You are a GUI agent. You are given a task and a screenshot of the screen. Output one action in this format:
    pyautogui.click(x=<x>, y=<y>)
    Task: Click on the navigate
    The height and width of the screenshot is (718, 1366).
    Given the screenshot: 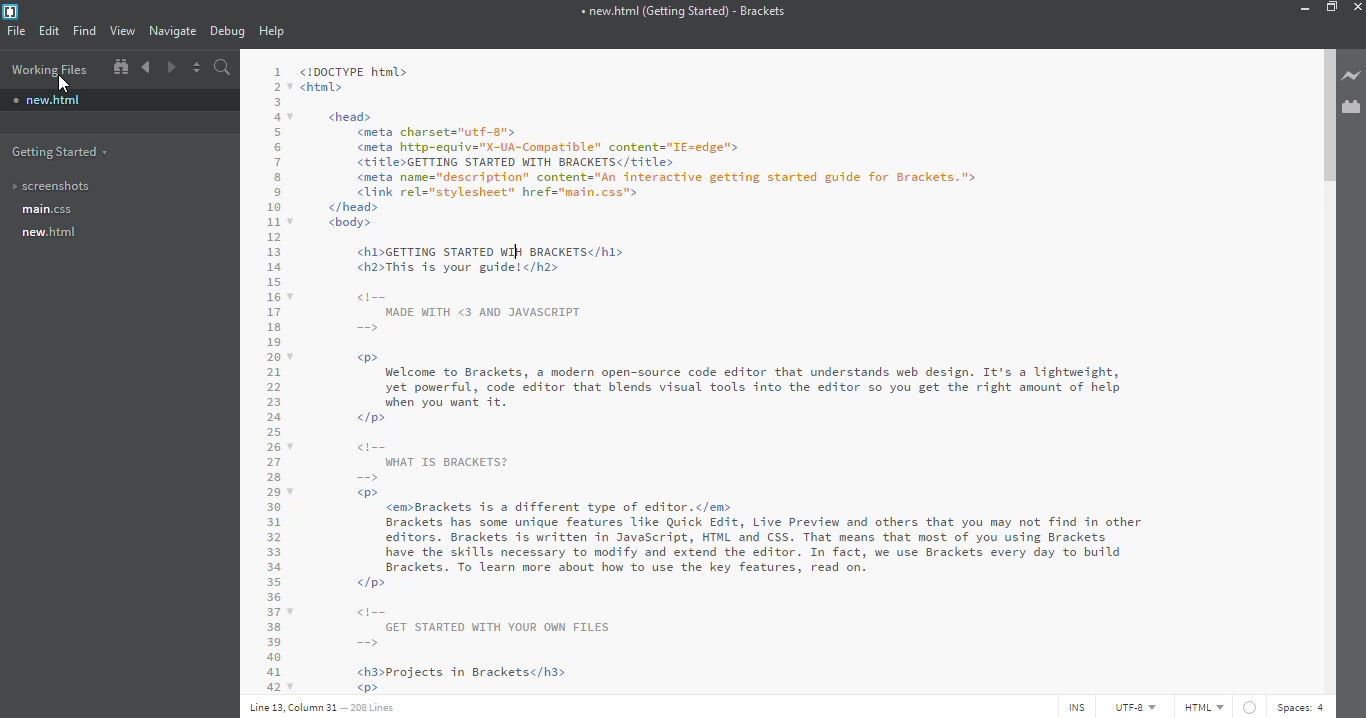 What is the action you would take?
    pyautogui.click(x=174, y=31)
    